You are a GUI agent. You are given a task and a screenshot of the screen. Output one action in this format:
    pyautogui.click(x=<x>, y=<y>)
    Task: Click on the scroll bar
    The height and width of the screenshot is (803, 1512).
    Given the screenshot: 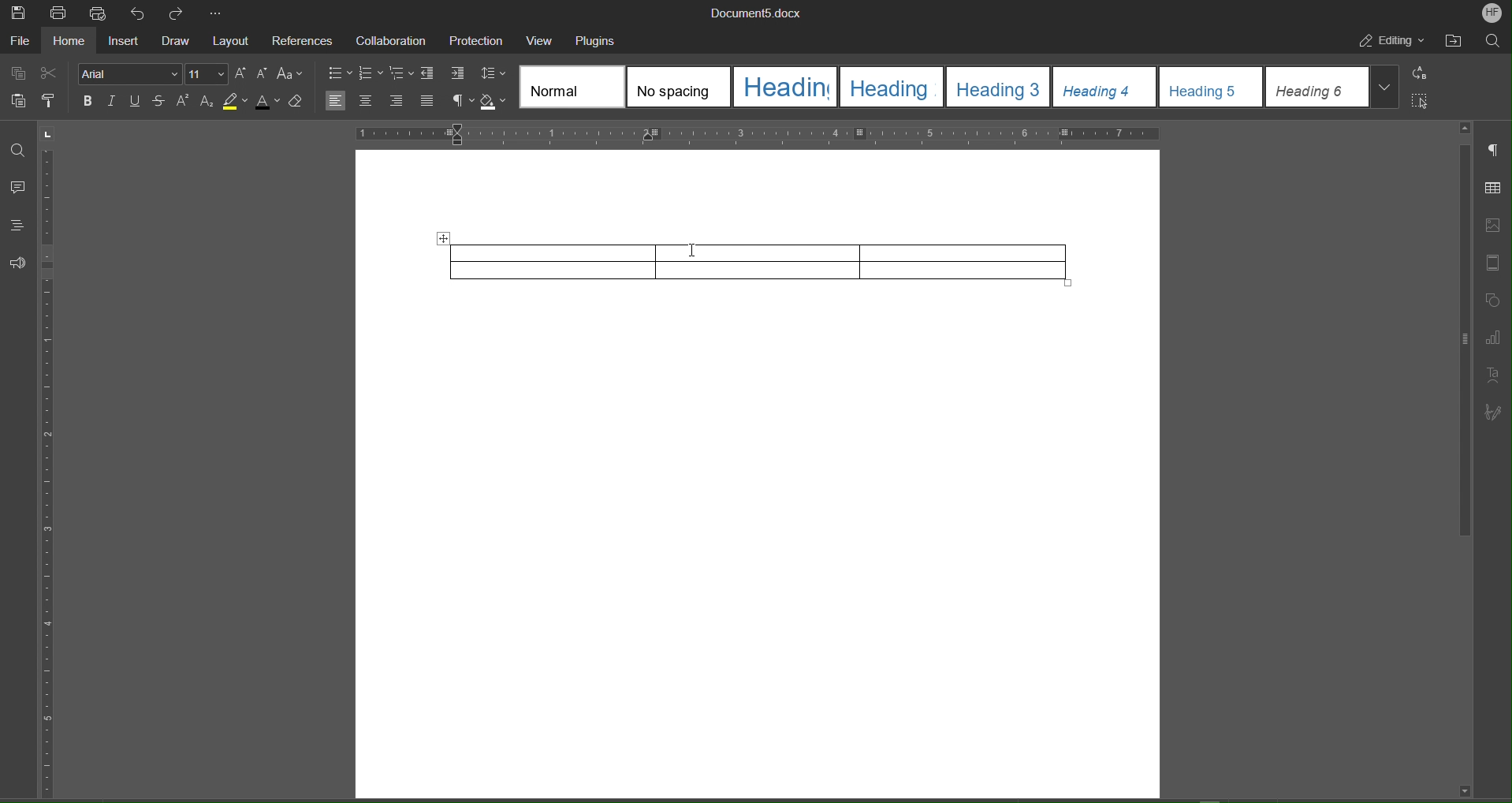 What is the action you would take?
    pyautogui.click(x=1462, y=342)
    